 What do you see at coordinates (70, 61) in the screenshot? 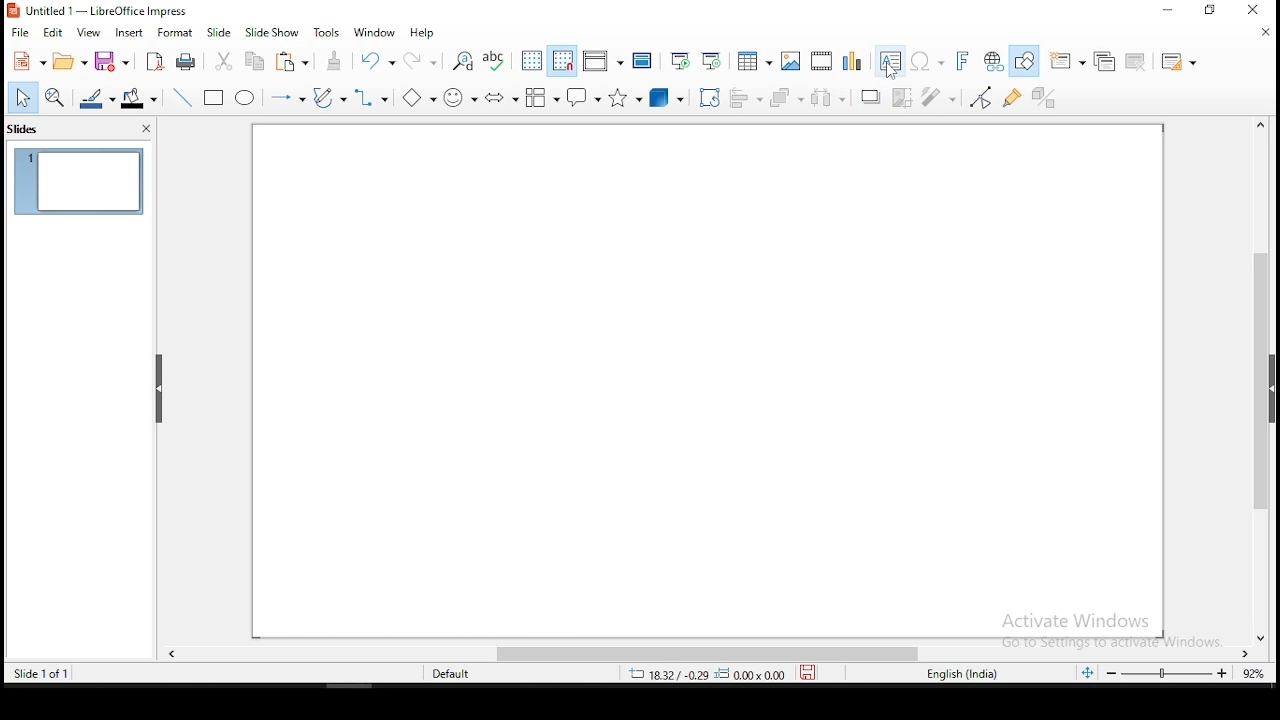
I see `open` at bounding box center [70, 61].